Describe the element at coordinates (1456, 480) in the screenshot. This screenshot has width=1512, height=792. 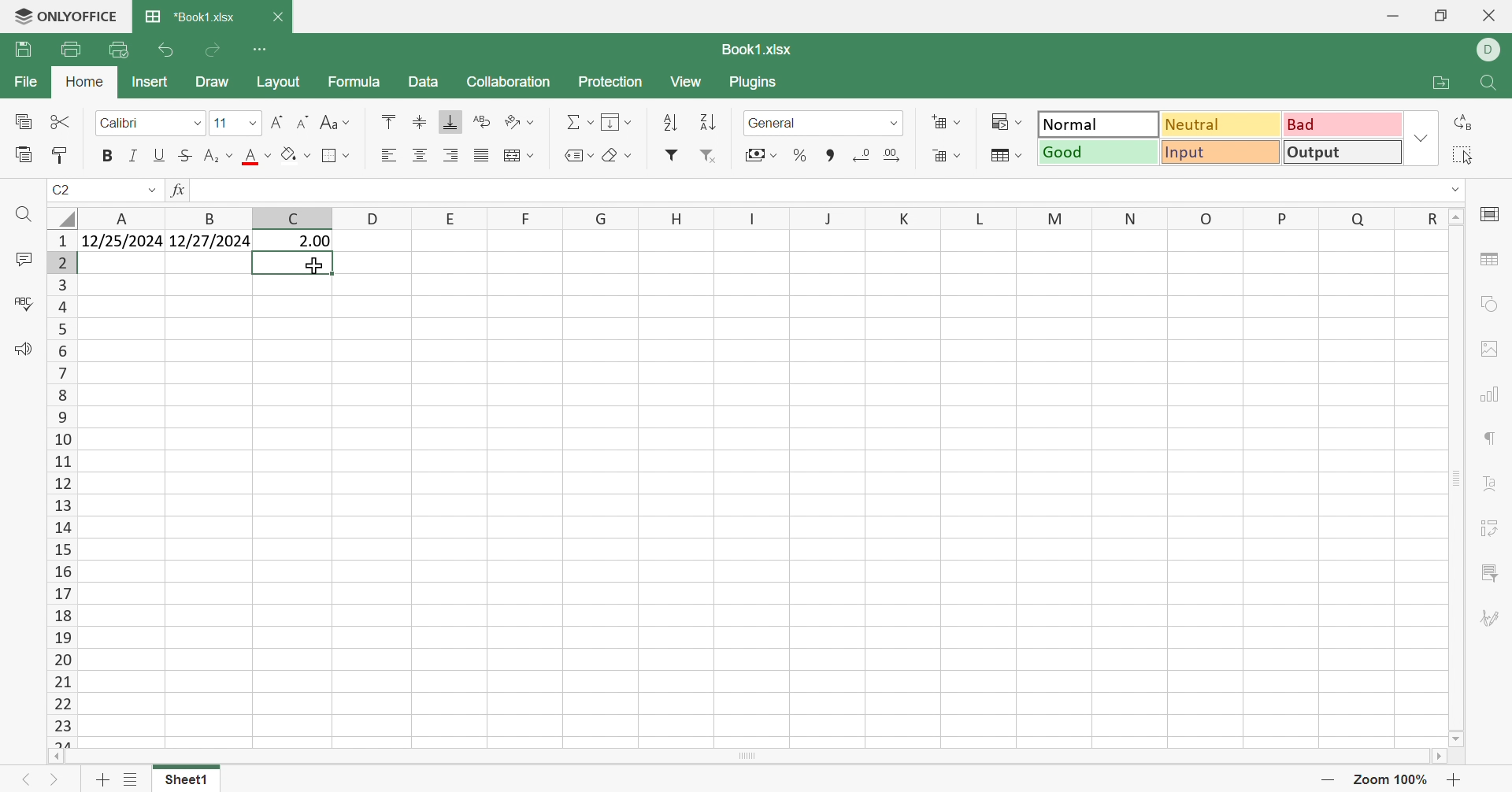
I see `Scroll Bar` at that location.